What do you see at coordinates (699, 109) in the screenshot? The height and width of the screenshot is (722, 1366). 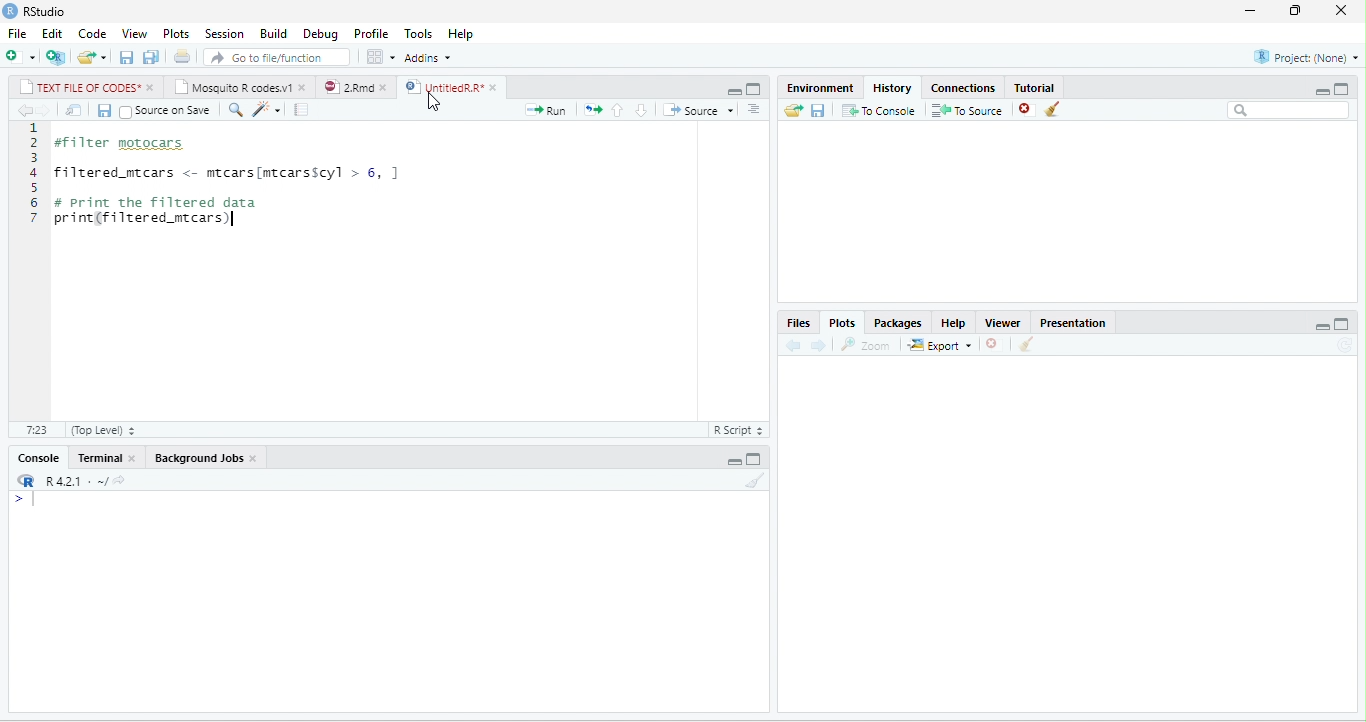 I see `Source` at bounding box center [699, 109].